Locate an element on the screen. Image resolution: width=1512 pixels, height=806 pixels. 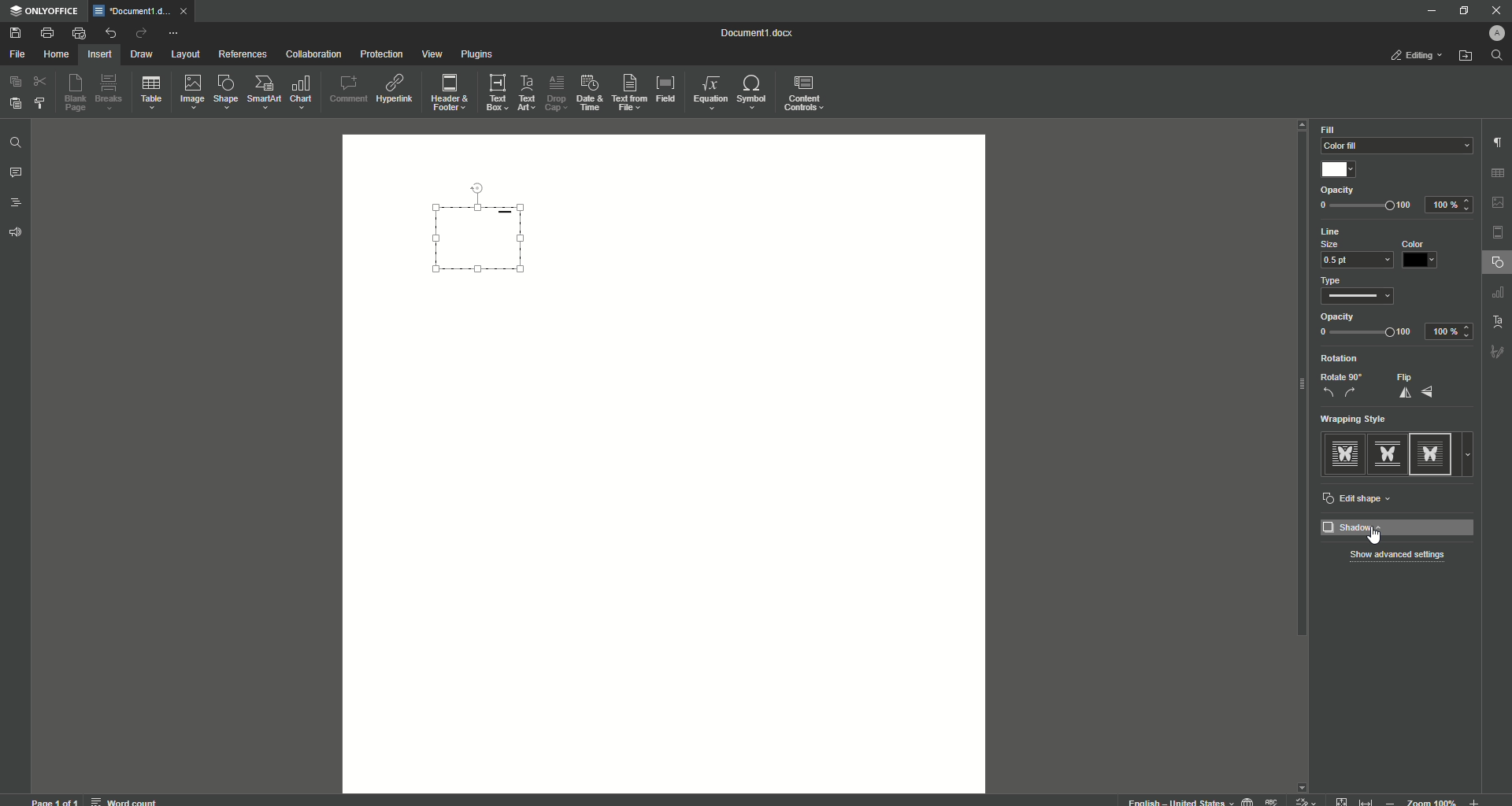
Copy is located at coordinates (16, 82).